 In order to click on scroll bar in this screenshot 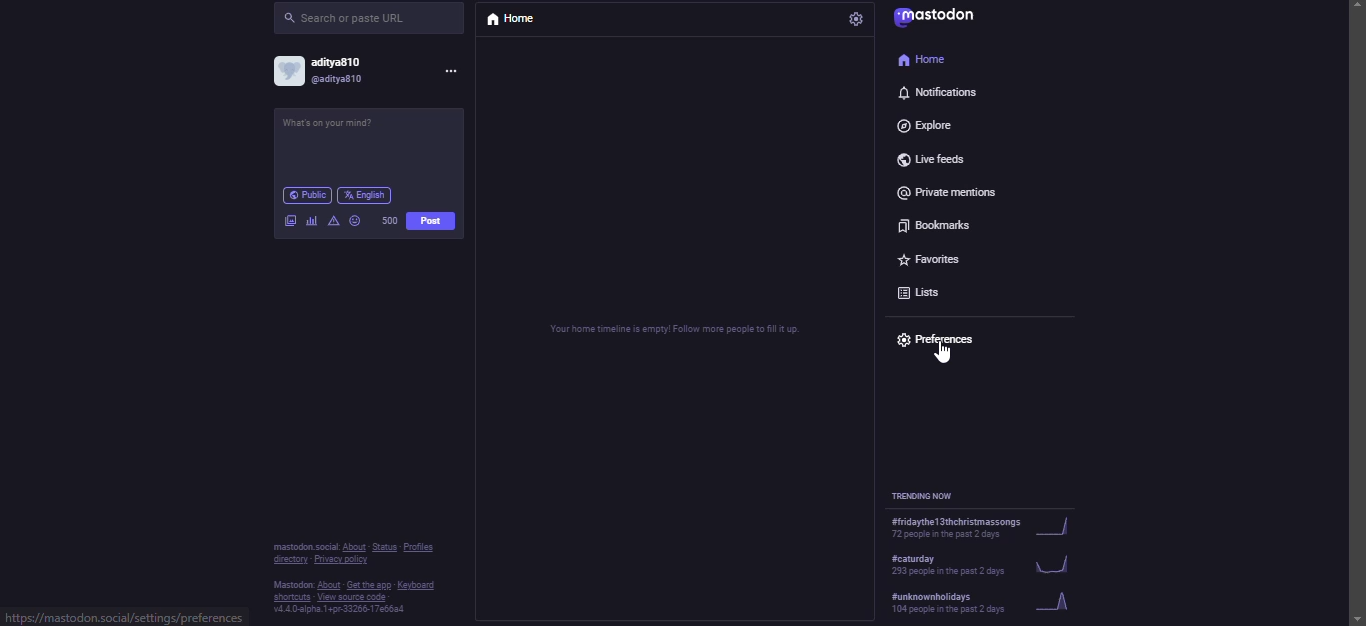, I will do `click(1354, 295)`.